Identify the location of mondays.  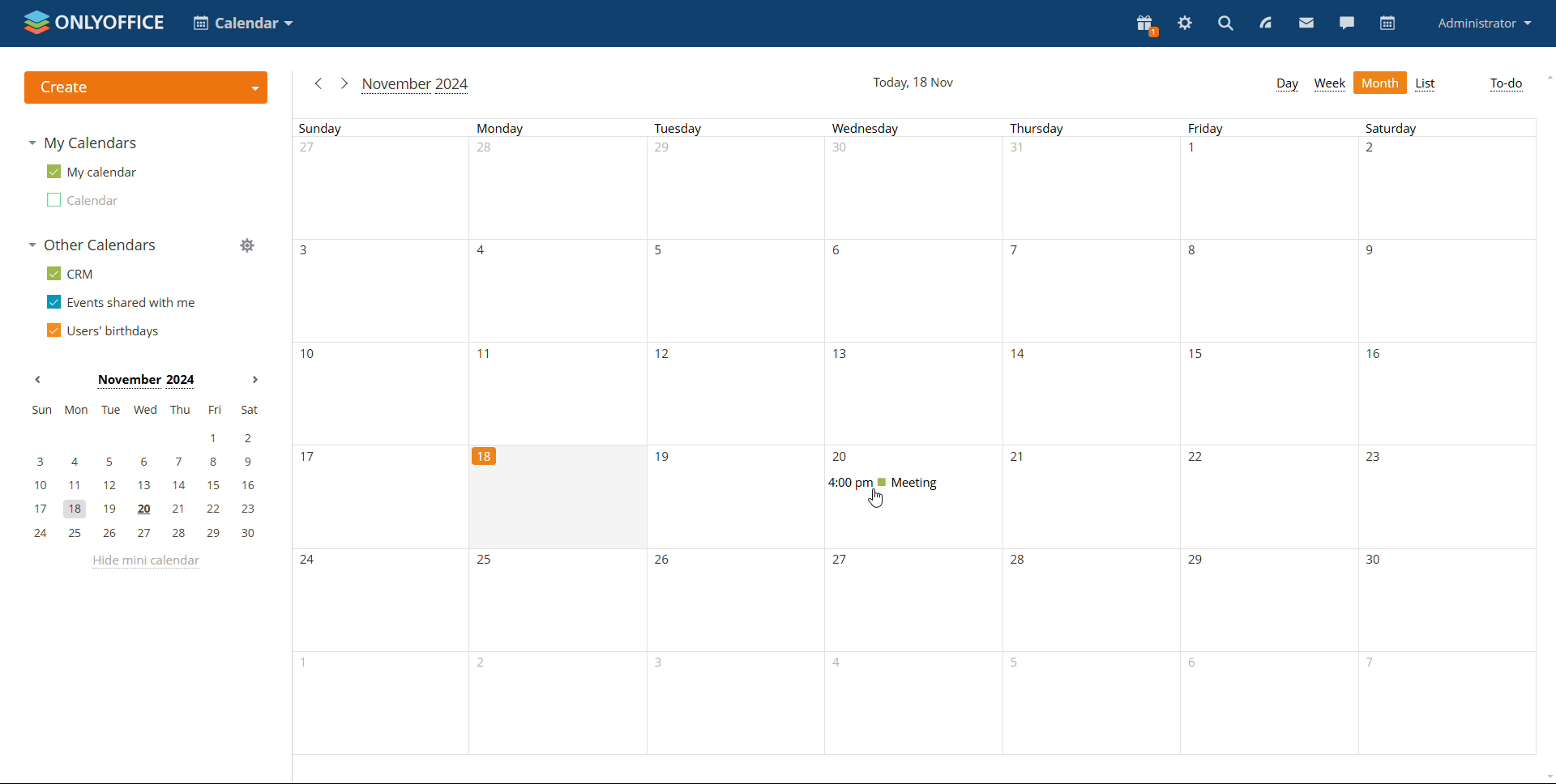
(559, 654).